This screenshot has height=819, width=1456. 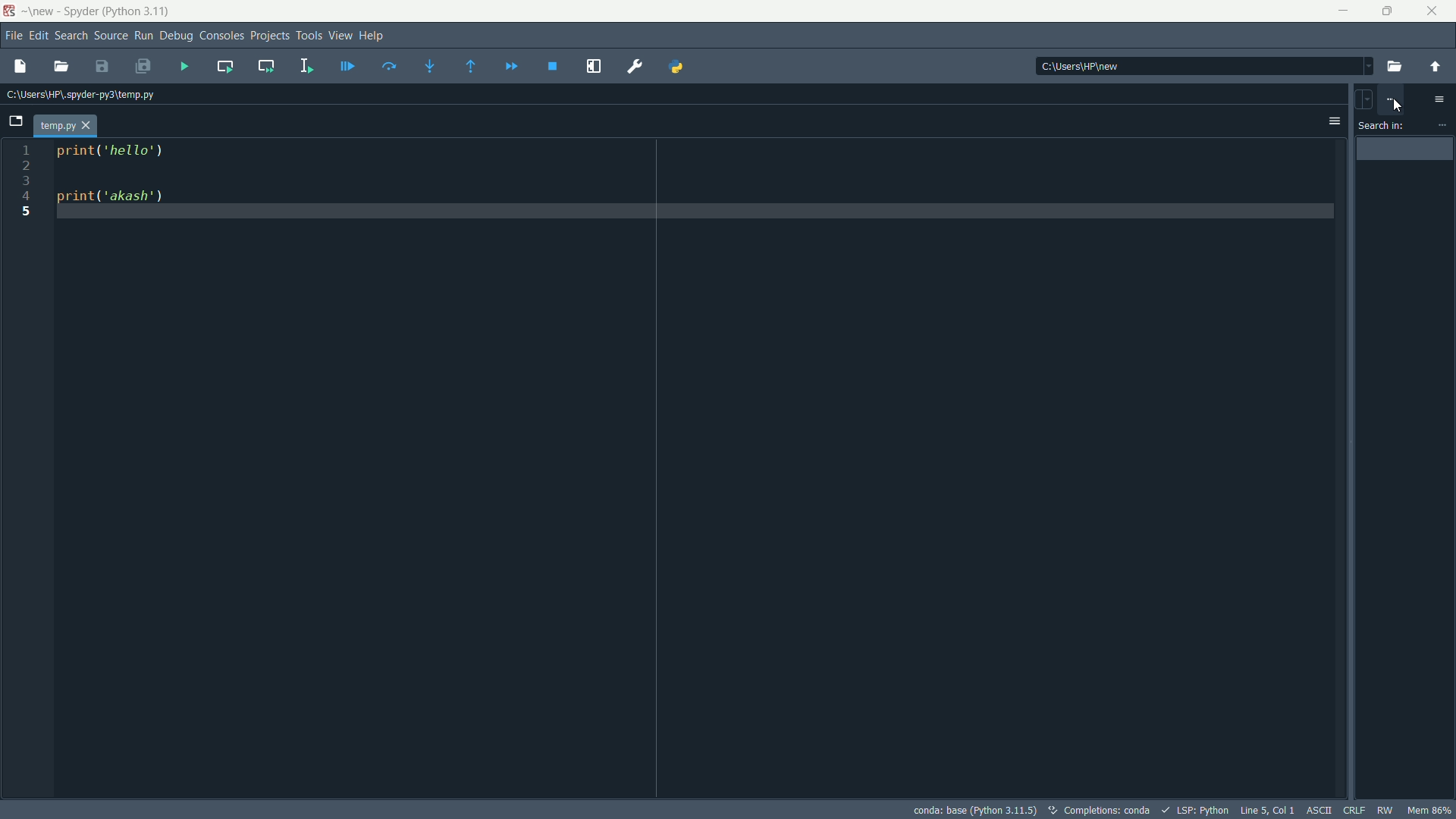 I want to click on Projects Menu, so click(x=267, y=35).